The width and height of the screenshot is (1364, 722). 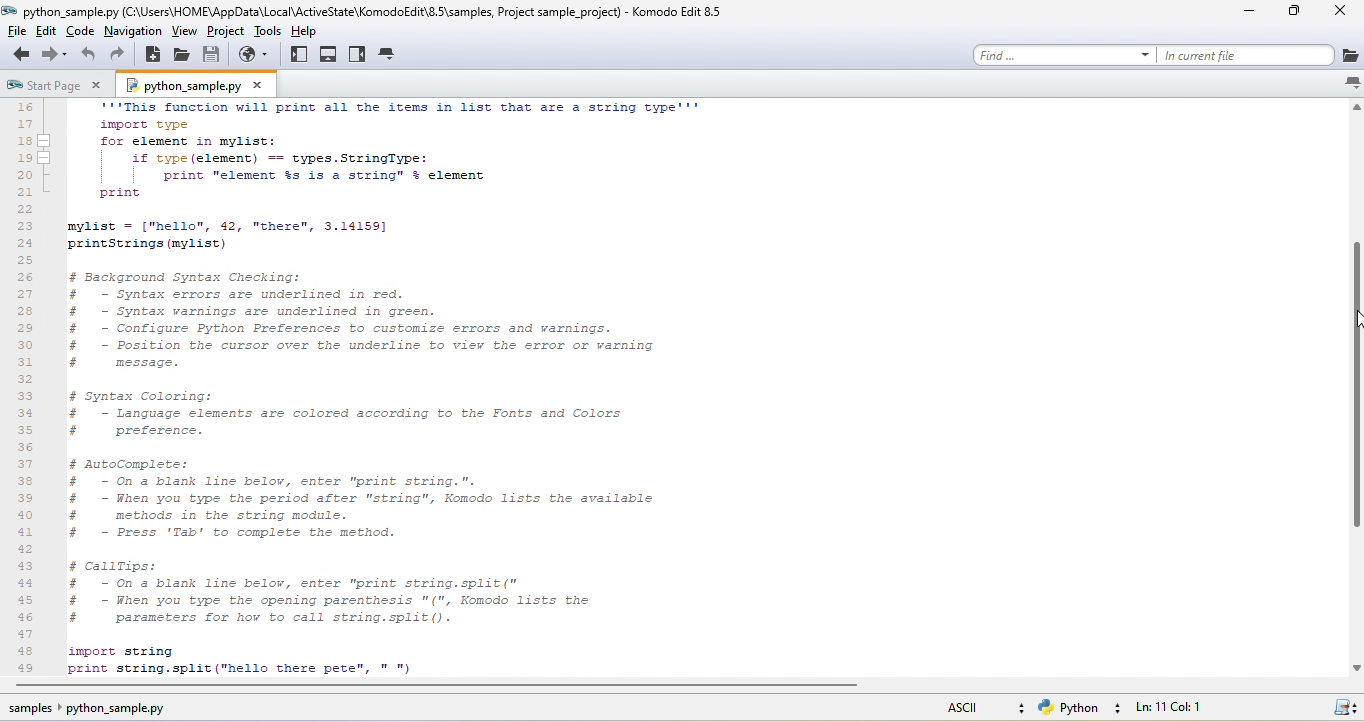 What do you see at coordinates (28, 387) in the screenshot?
I see `line number` at bounding box center [28, 387].